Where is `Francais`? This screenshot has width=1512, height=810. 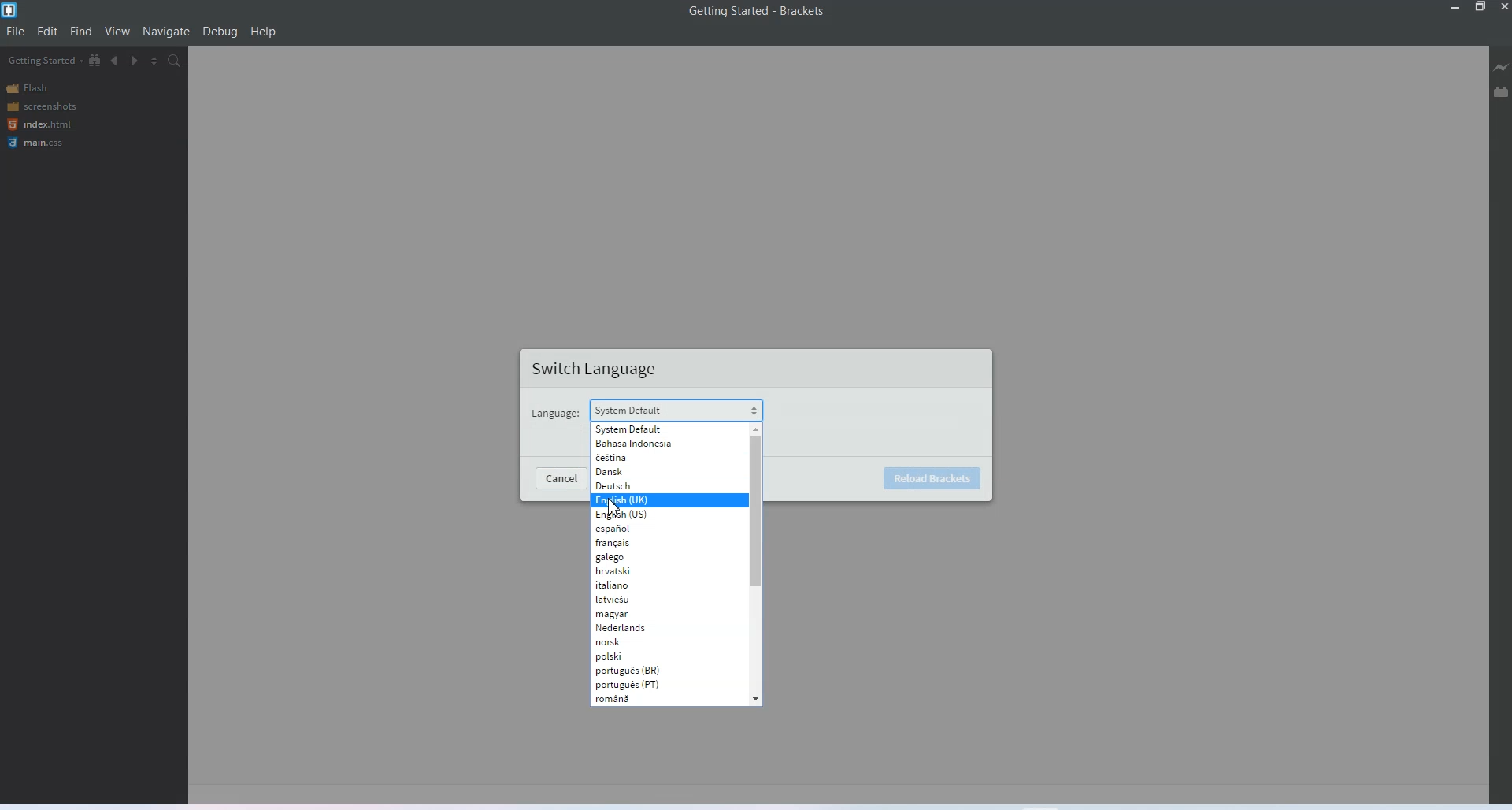
Francais is located at coordinates (654, 543).